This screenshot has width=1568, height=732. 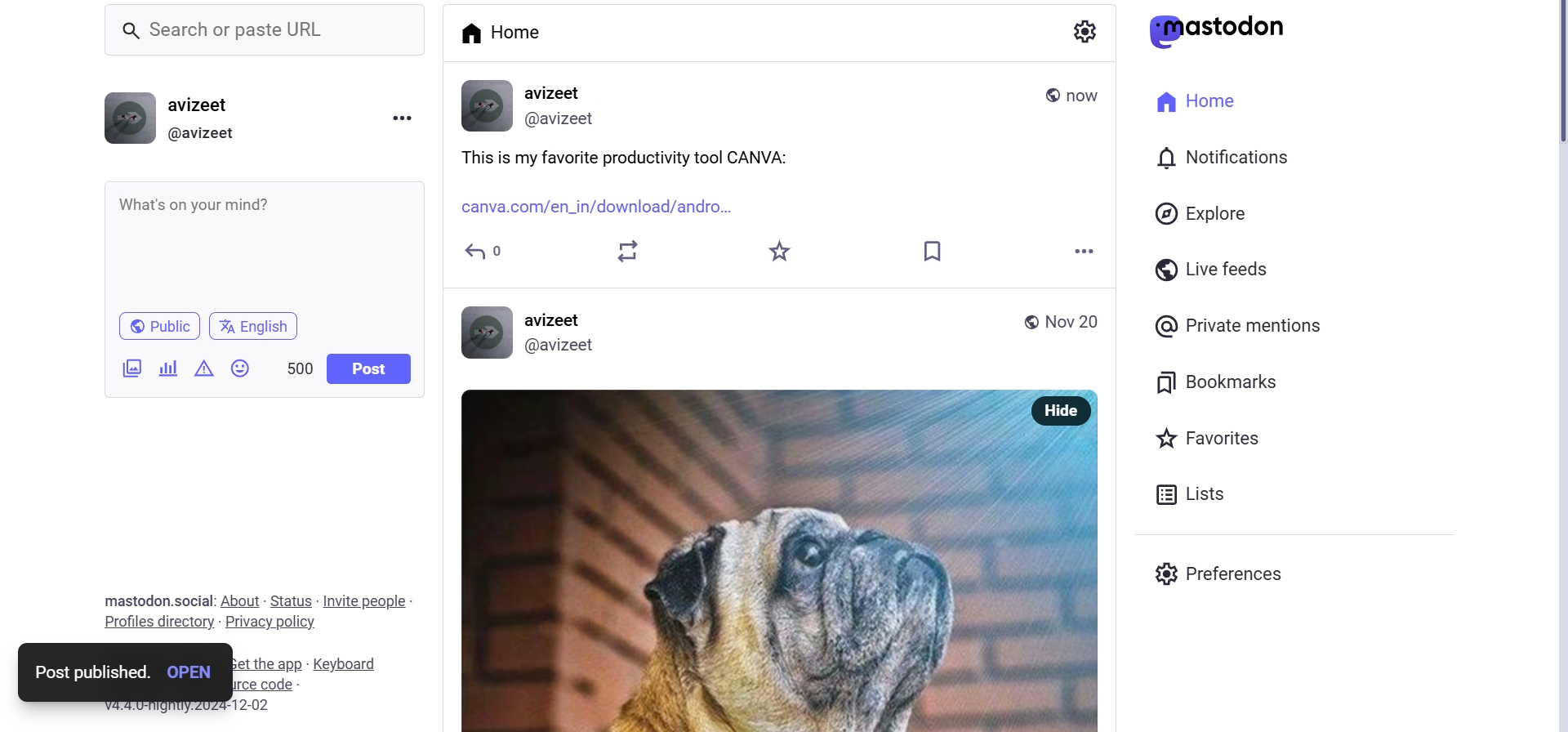 I want to click on favorite, so click(x=782, y=251).